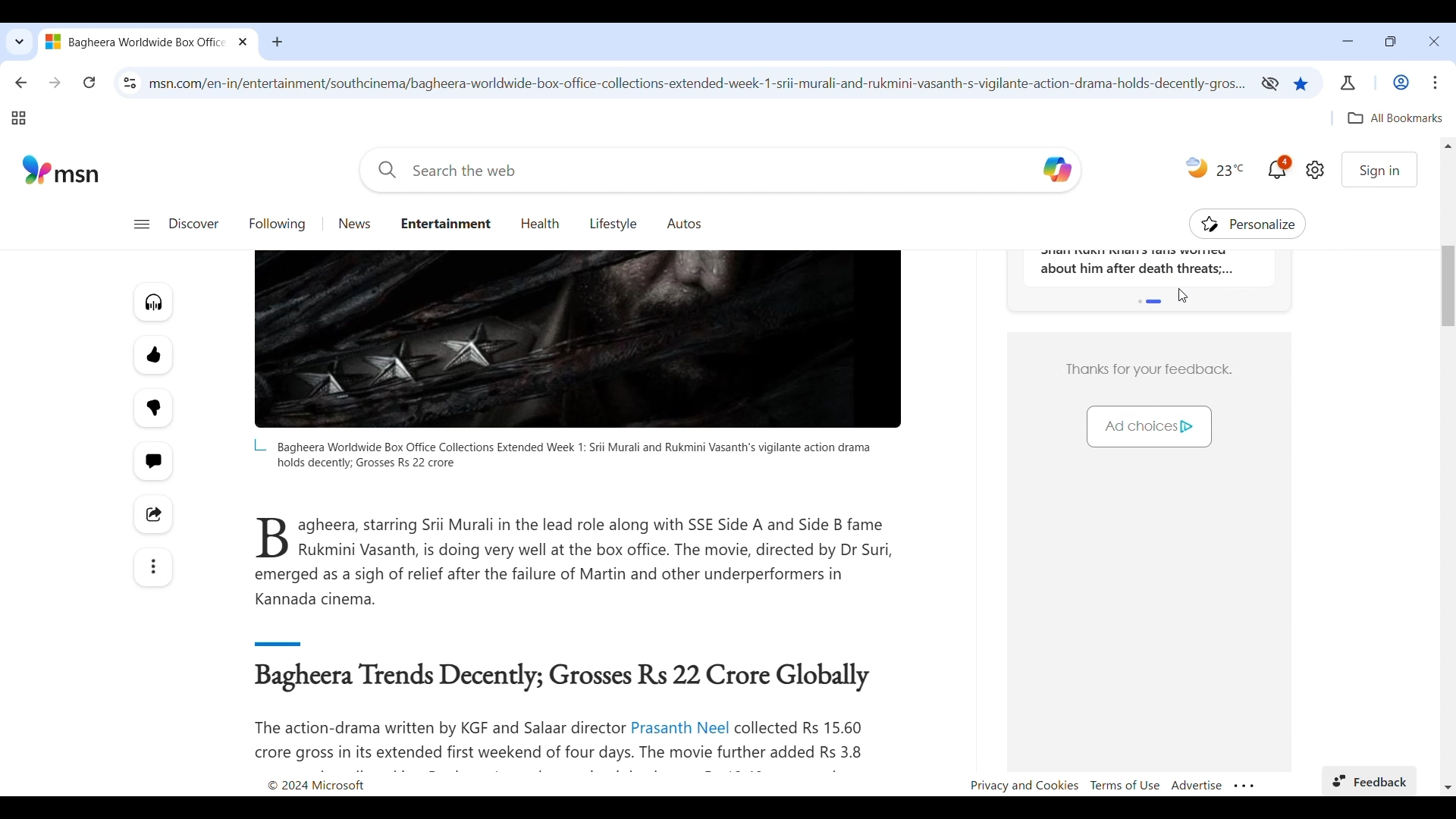  What do you see at coordinates (152, 462) in the screenshot?
I see `Start the conversation` at bounding box center [152, 462].